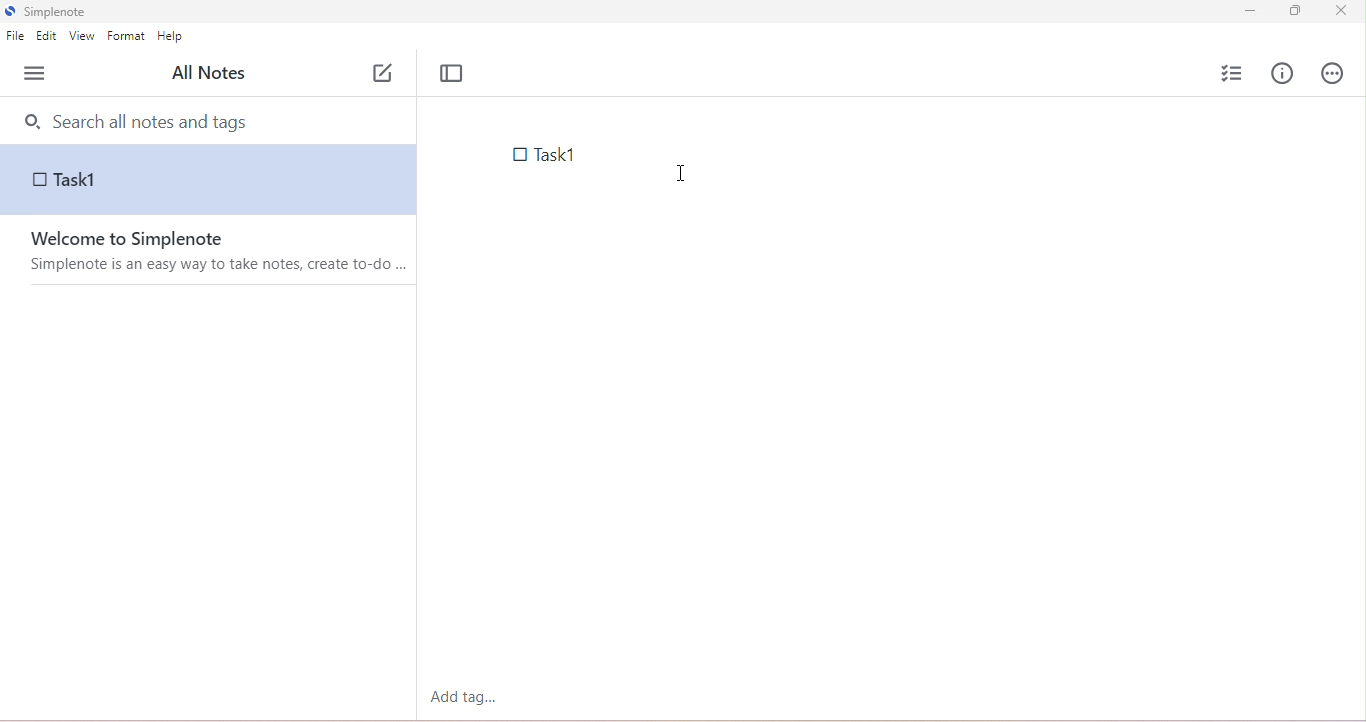  What do you see at coordinates (219, 256) in the screenshot?
I see `welcome to simplenote` at bounding box center [219, 256].